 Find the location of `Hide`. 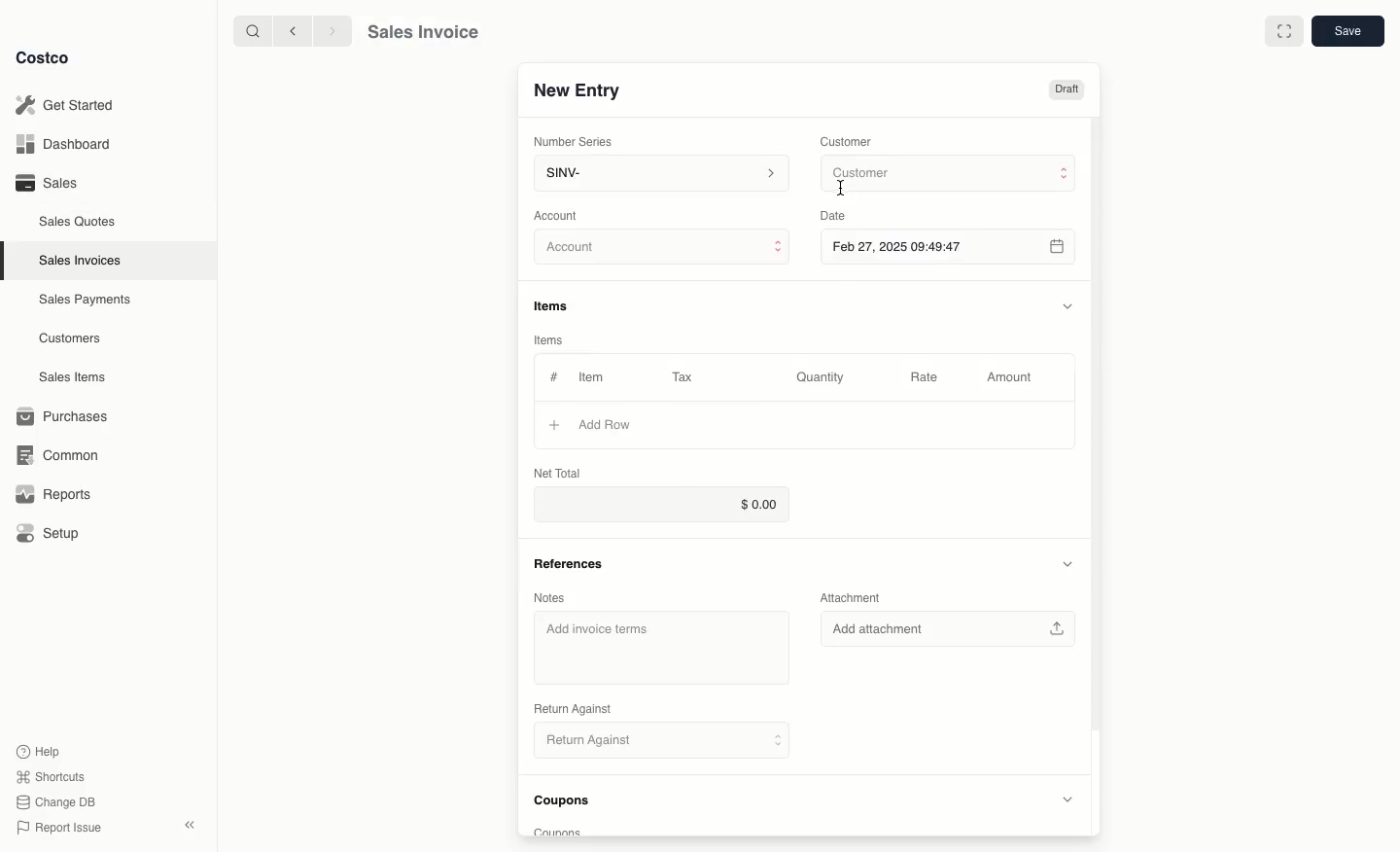

Hide is located at coordinates (1067, 303).